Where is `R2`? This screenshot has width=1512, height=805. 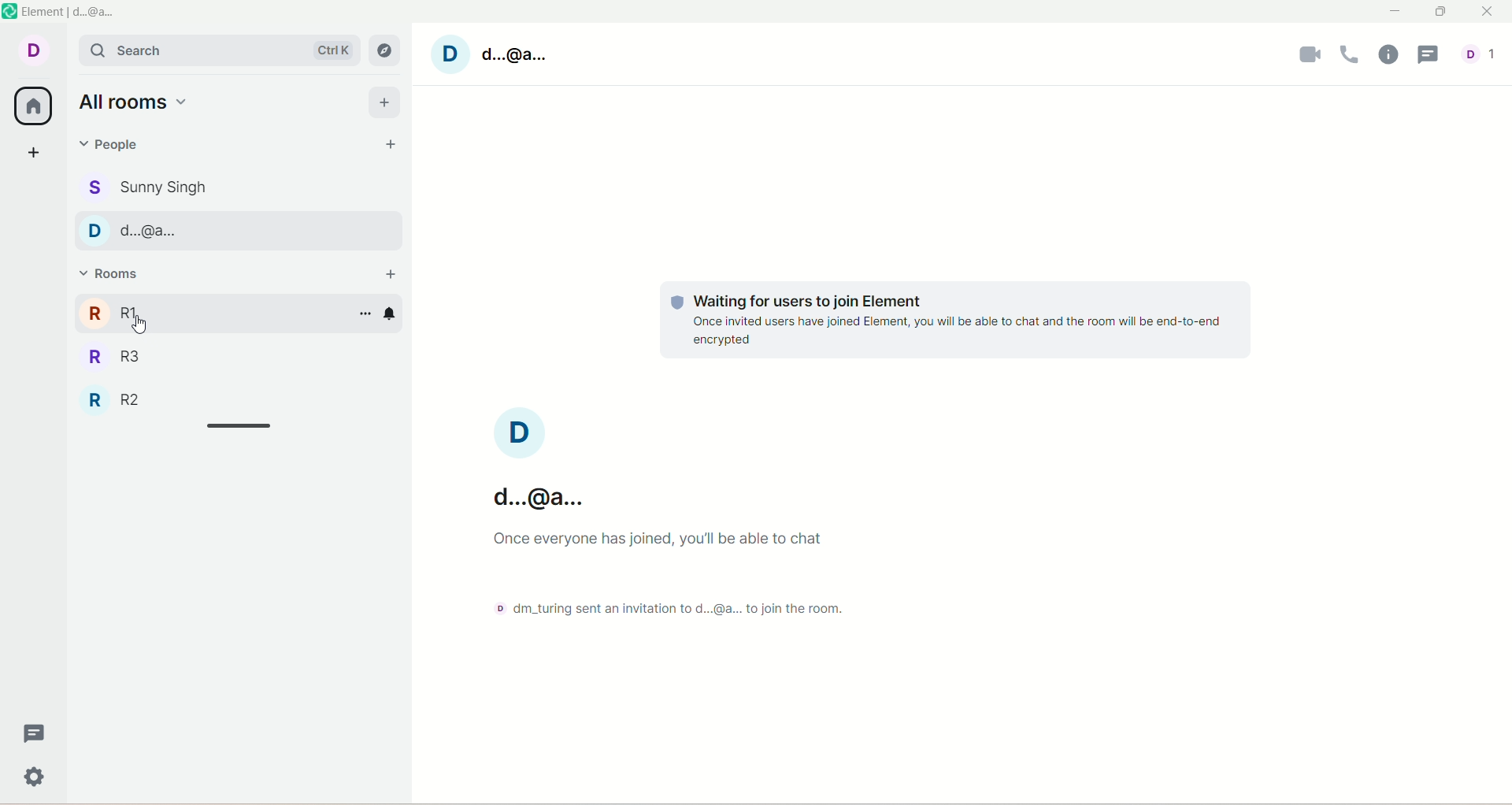
R2 is located at coordinates (122, 395).